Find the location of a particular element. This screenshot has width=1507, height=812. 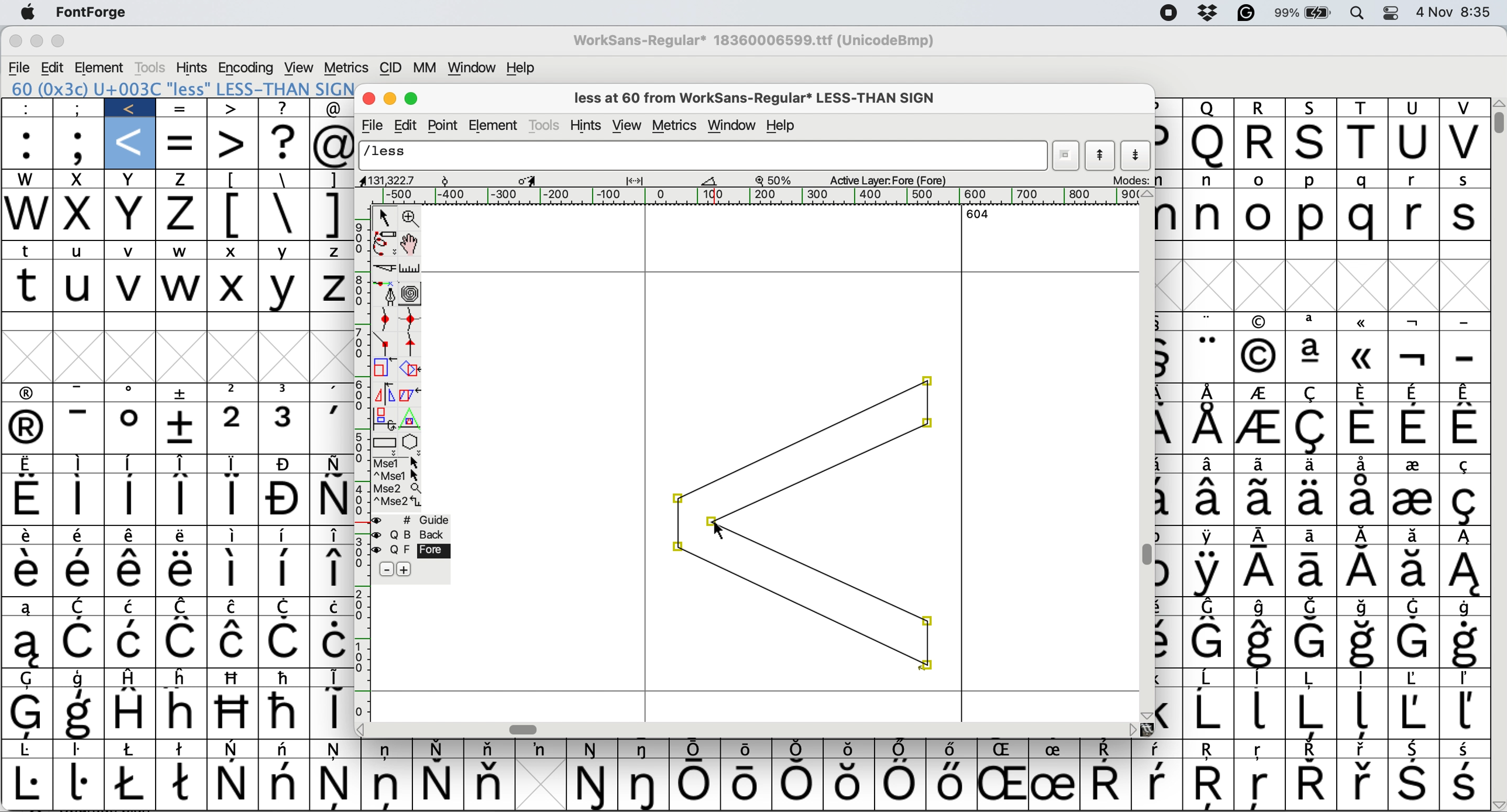

tools is located at coordinates (546, 125).